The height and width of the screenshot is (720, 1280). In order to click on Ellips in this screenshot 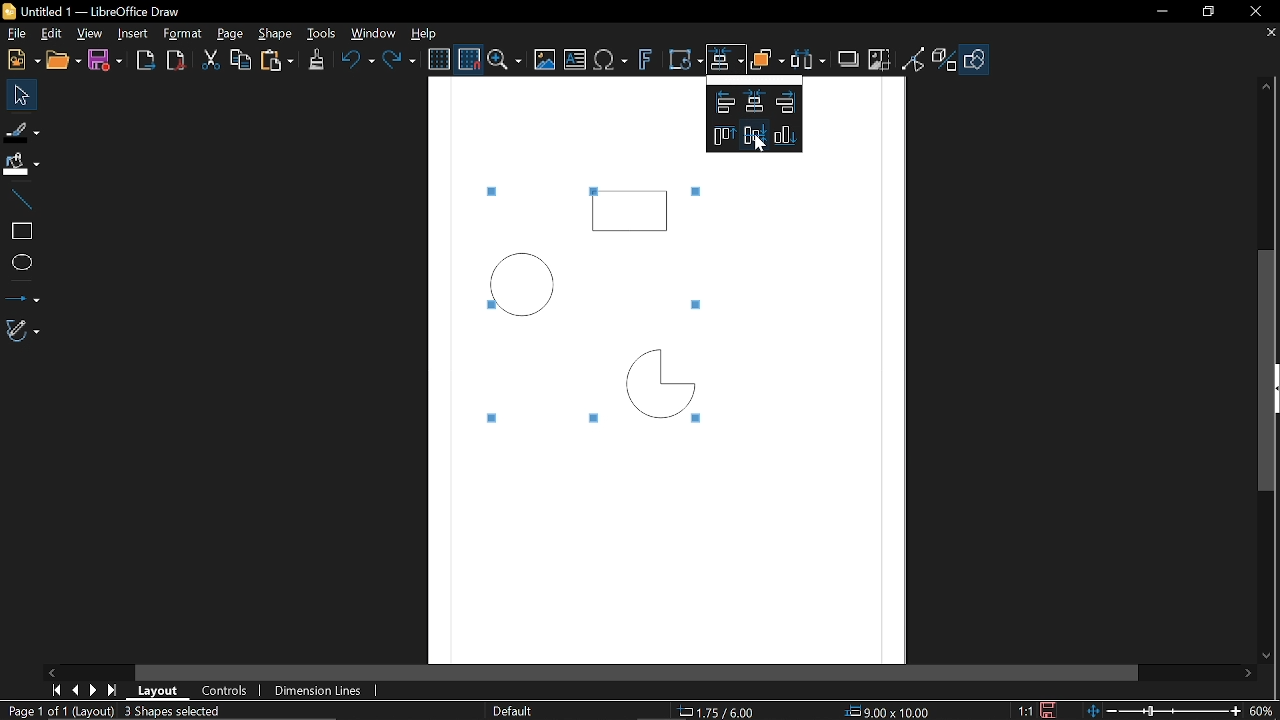, I will do `click(20, 262)`.